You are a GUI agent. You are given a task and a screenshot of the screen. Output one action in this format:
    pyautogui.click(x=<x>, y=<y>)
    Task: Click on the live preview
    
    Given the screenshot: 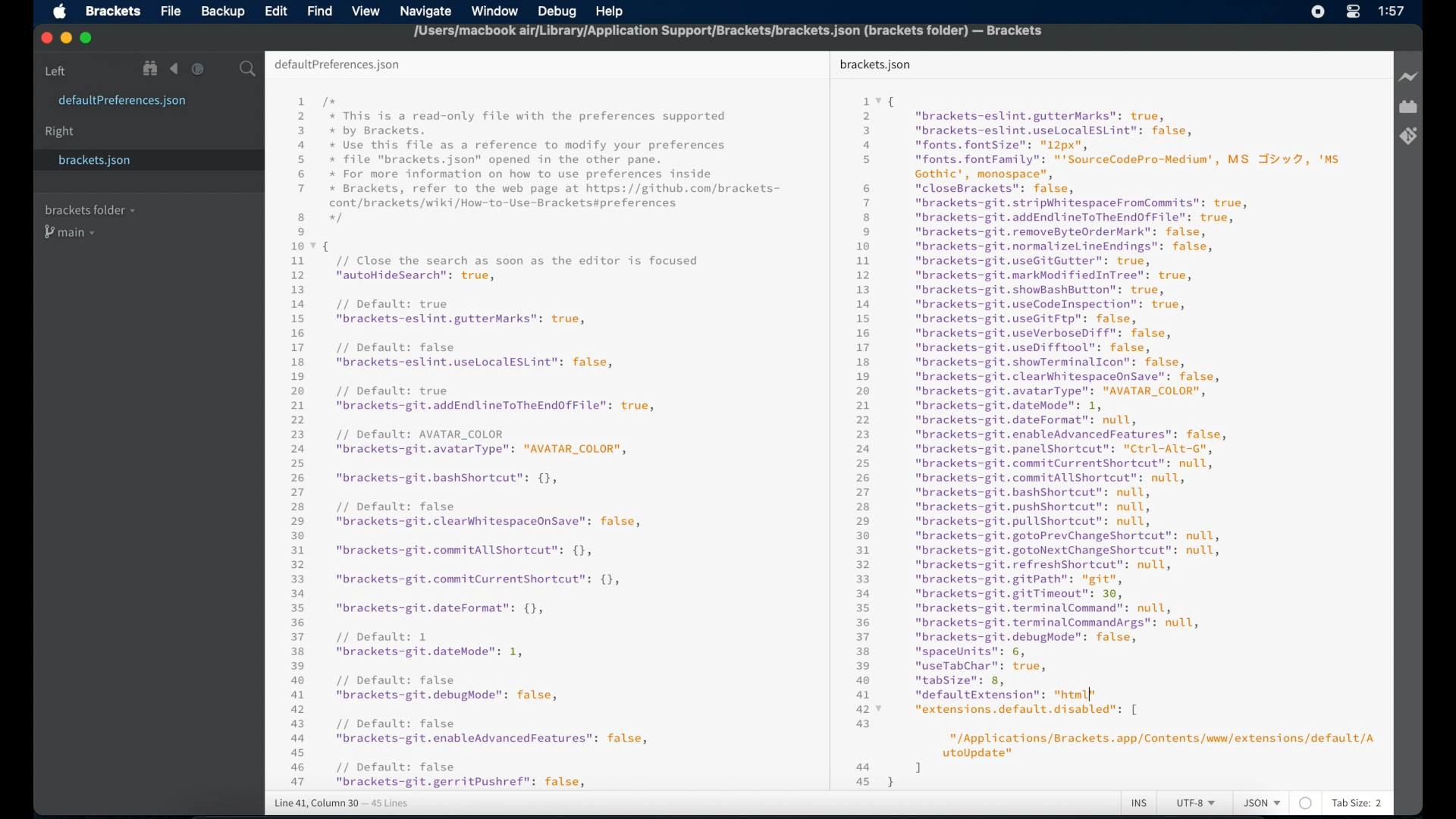 What is the action you would take?
    pyautogui.click(x=1407, y=77)
    